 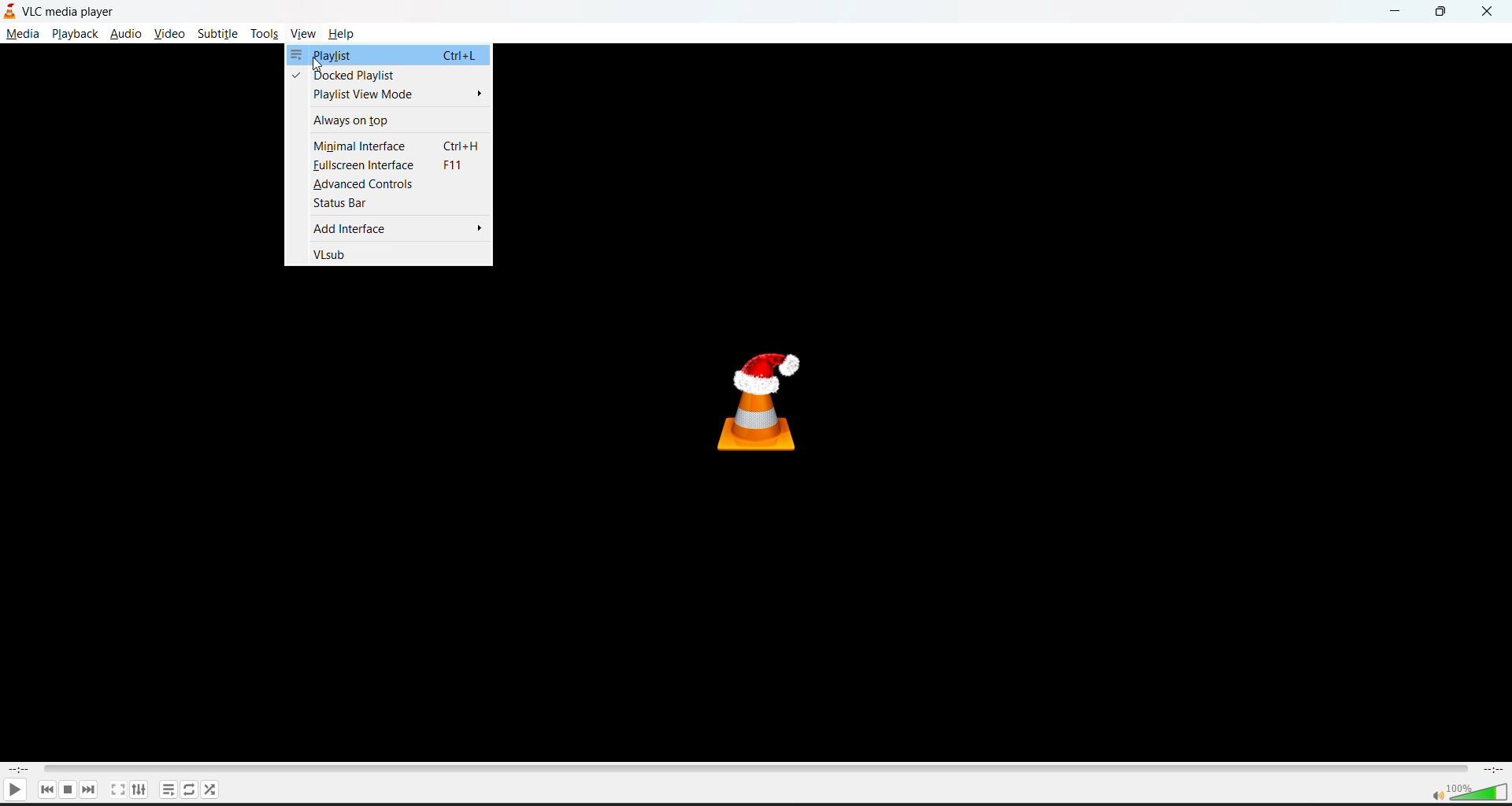 What do you see at coordinates (46, 789) in the screenshot?
I see `previous` at bounding box center [46, 789].